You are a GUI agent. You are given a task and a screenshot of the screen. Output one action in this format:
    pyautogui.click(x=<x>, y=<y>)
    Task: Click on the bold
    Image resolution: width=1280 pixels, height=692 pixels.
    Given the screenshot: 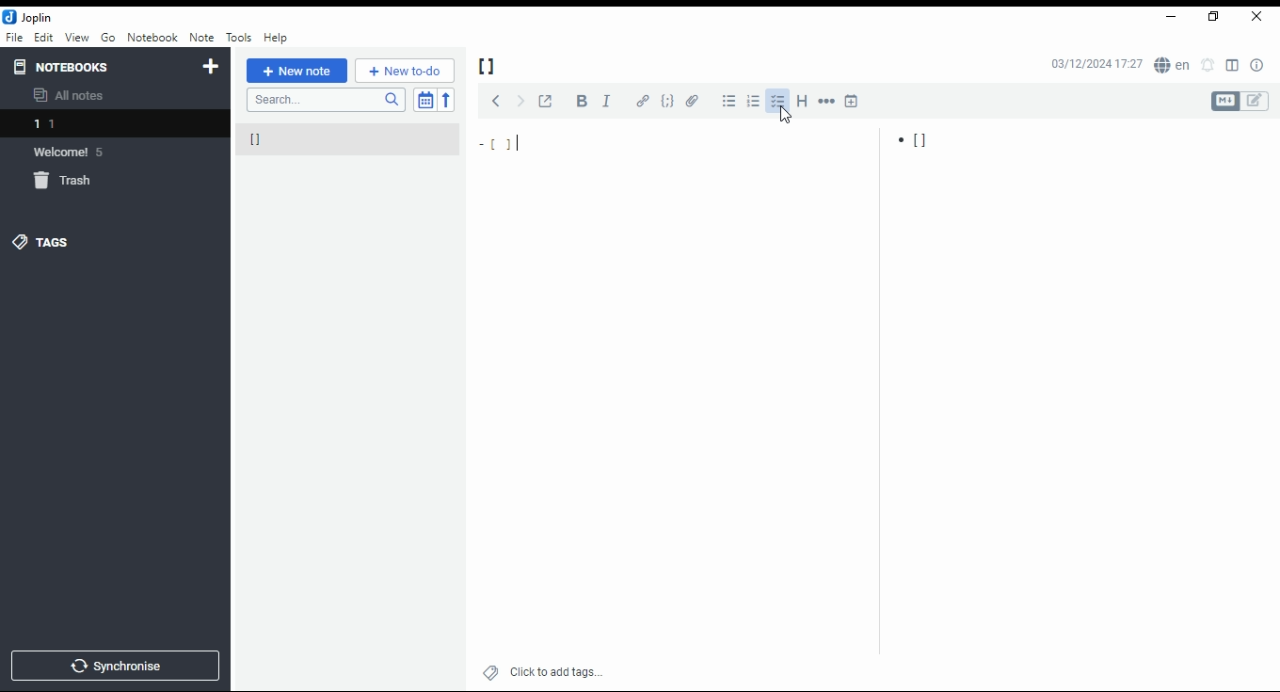 What is the action you would take?
    pyautogui.click(x=578, y=101)
    